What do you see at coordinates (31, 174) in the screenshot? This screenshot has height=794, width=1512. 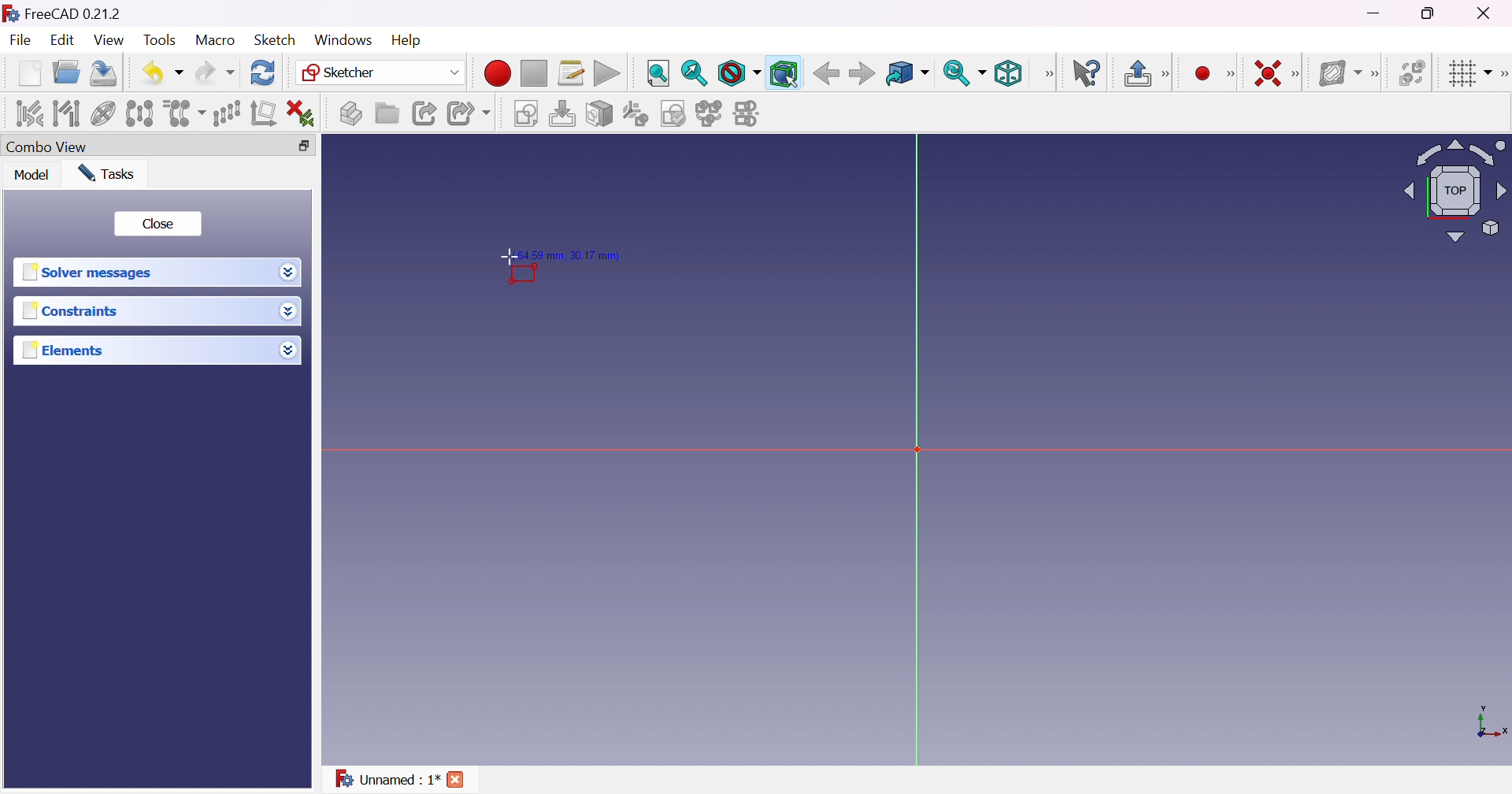 I see `Model` at bounding box center [31, 174].